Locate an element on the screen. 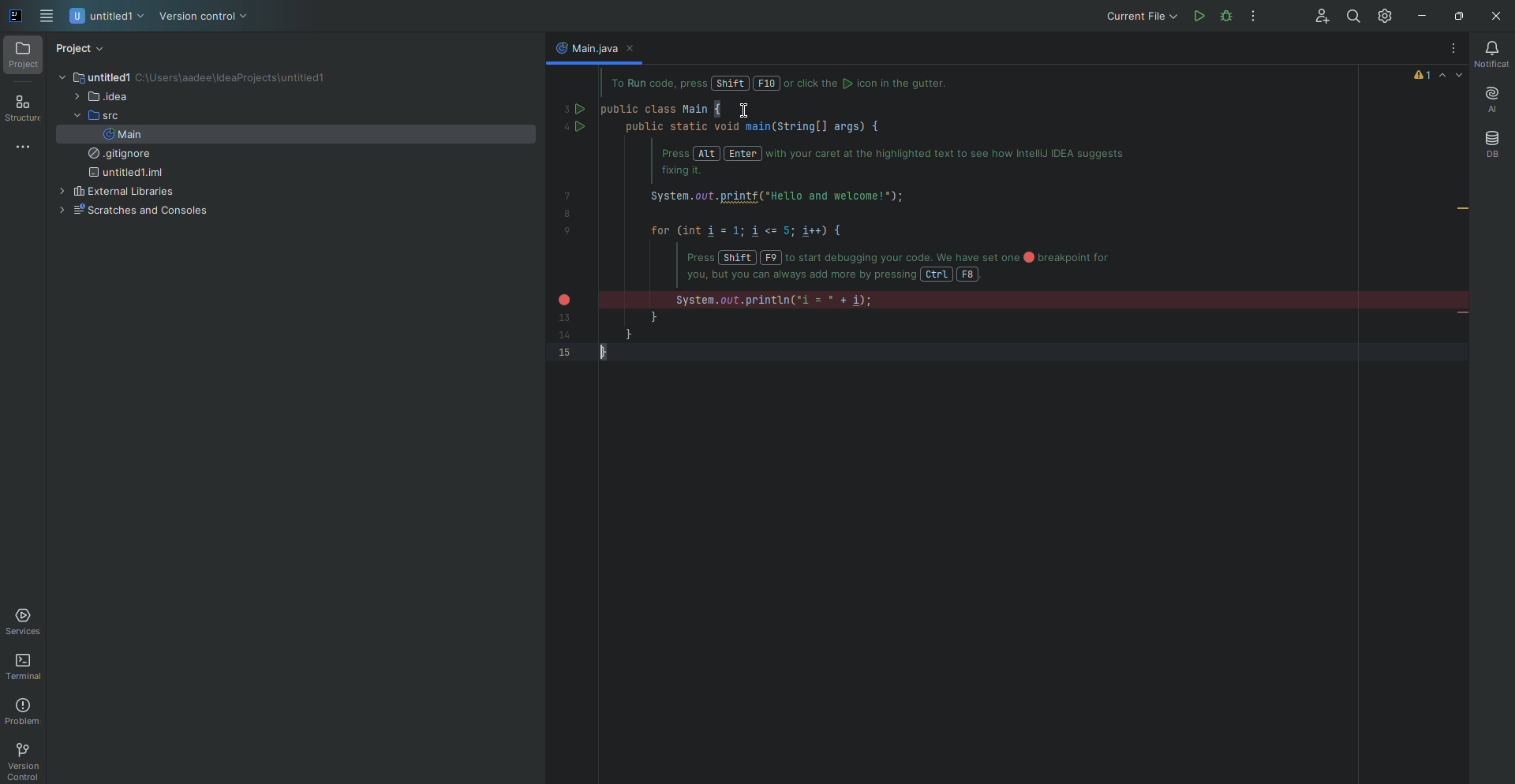 The width and height of the screenshot is (1515, 784). Version Control is located at coordinates (22, 761).